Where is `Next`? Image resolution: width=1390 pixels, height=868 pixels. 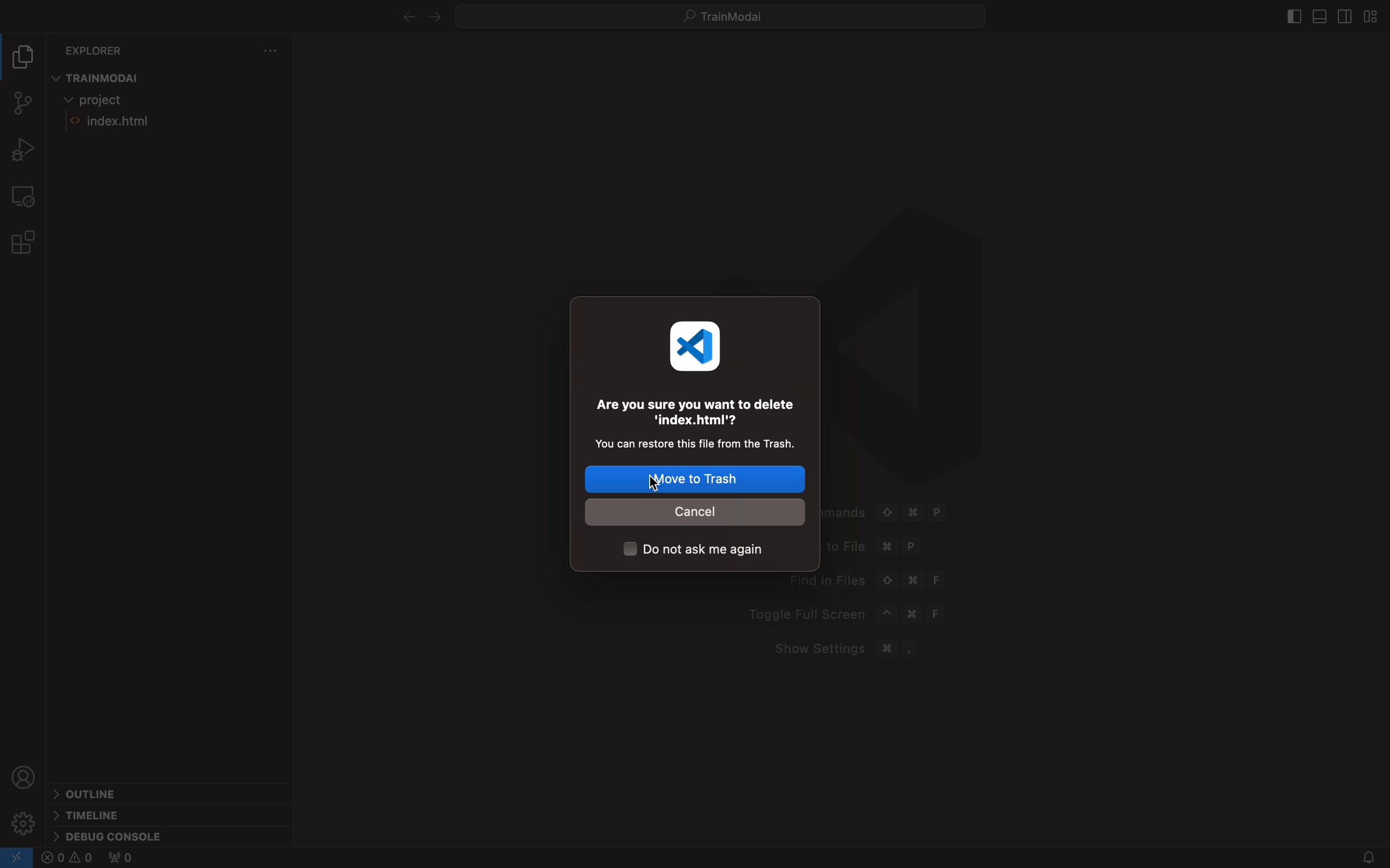
Next is located at coordinates (434, 17).